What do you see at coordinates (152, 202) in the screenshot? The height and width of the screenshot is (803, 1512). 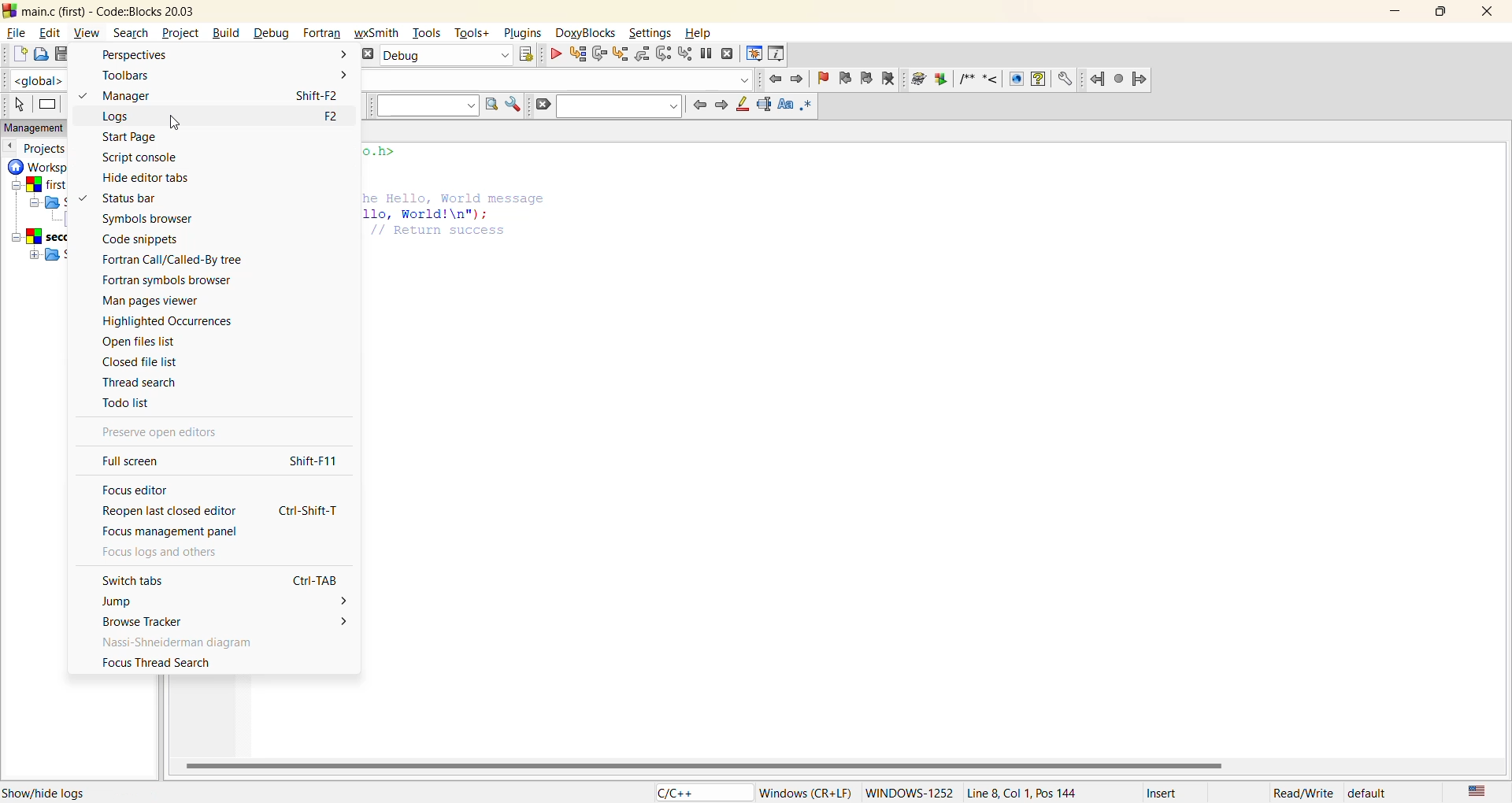 I see `status bar` at bounding box center [152, 202].